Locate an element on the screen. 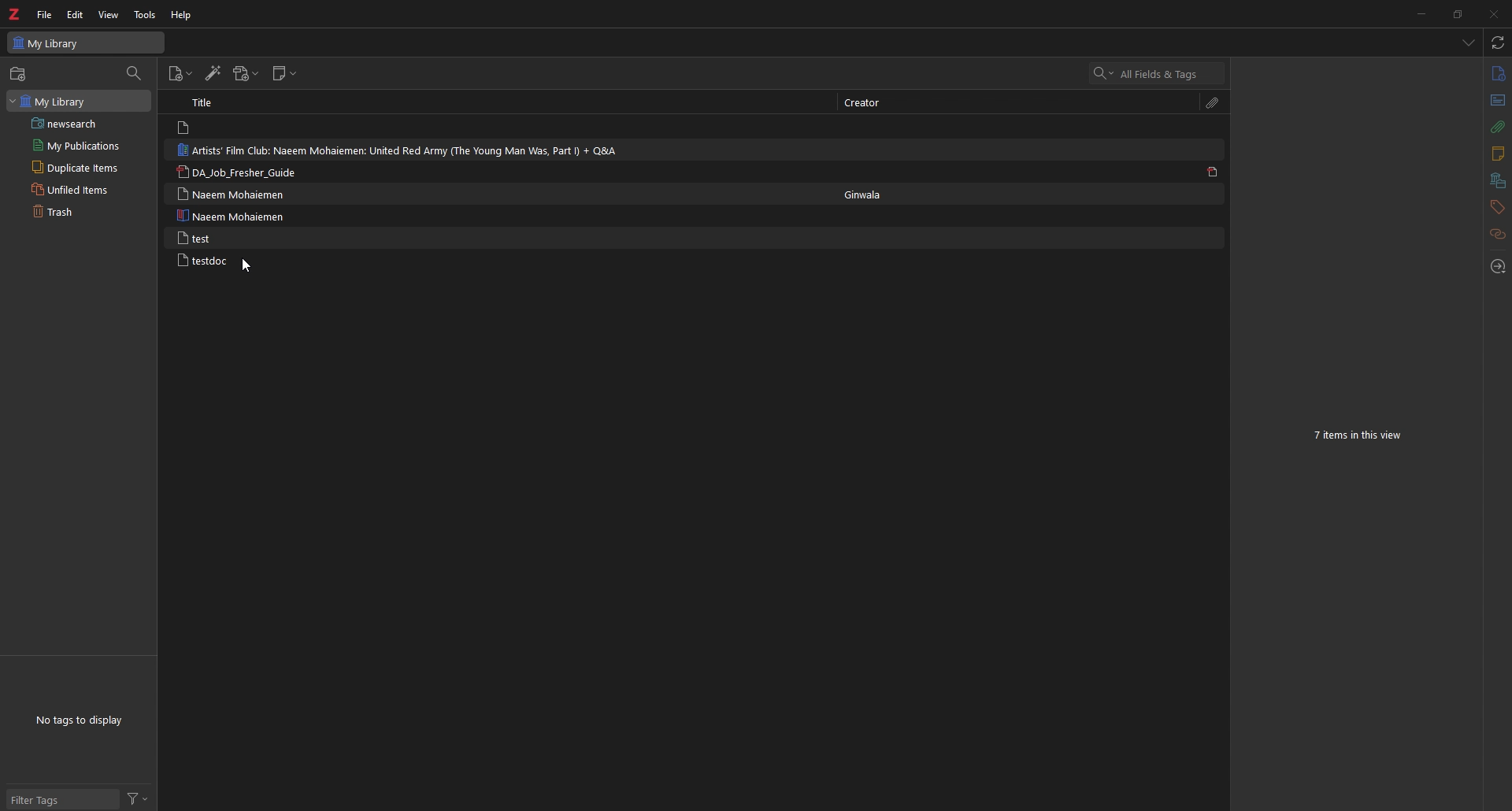 The width and height of the screenshot is (1512, 811). attachment is located at coordinates (1499, 128).